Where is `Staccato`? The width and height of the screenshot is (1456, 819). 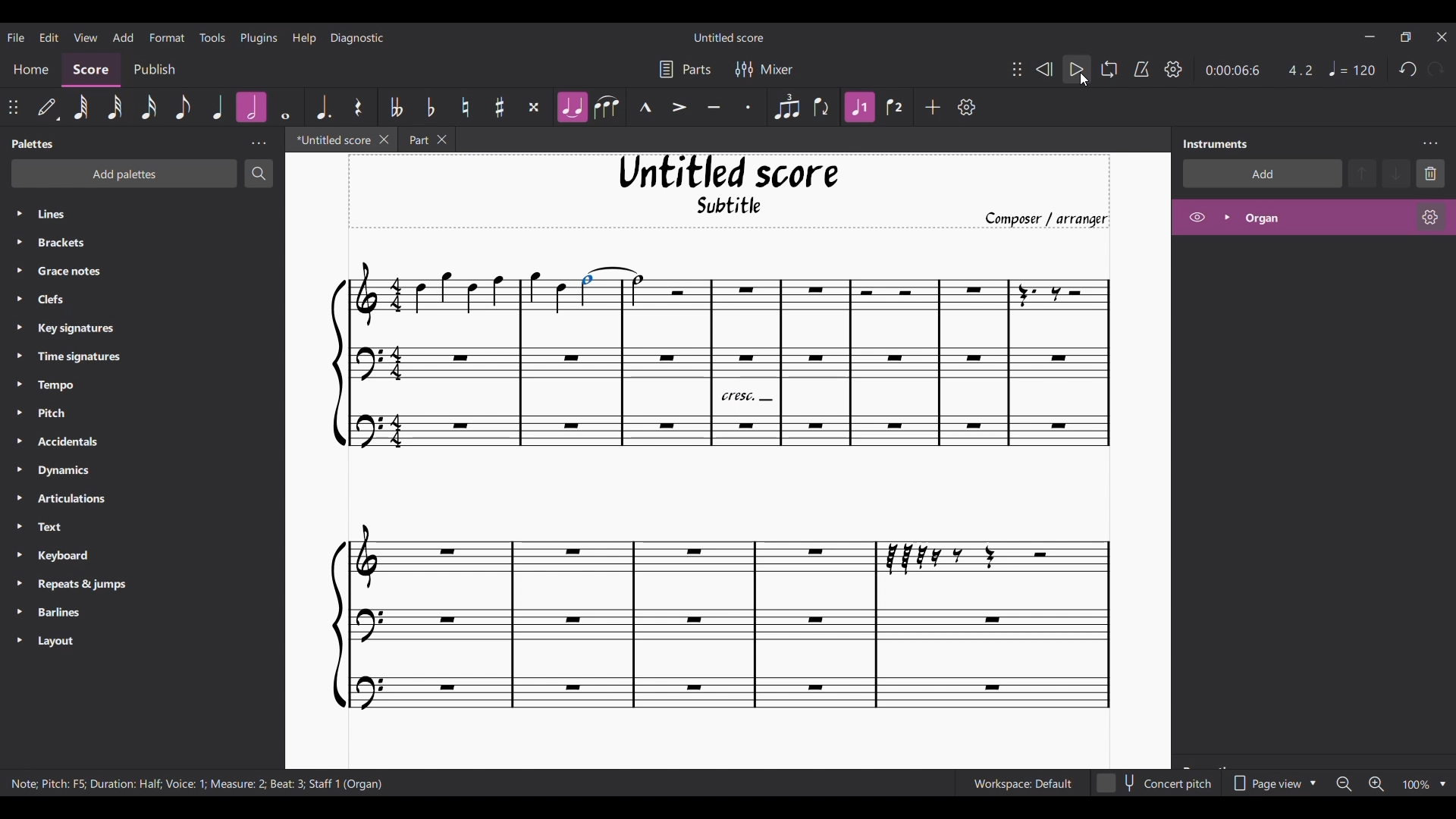
Staccato is located at coordinates (748, 107).